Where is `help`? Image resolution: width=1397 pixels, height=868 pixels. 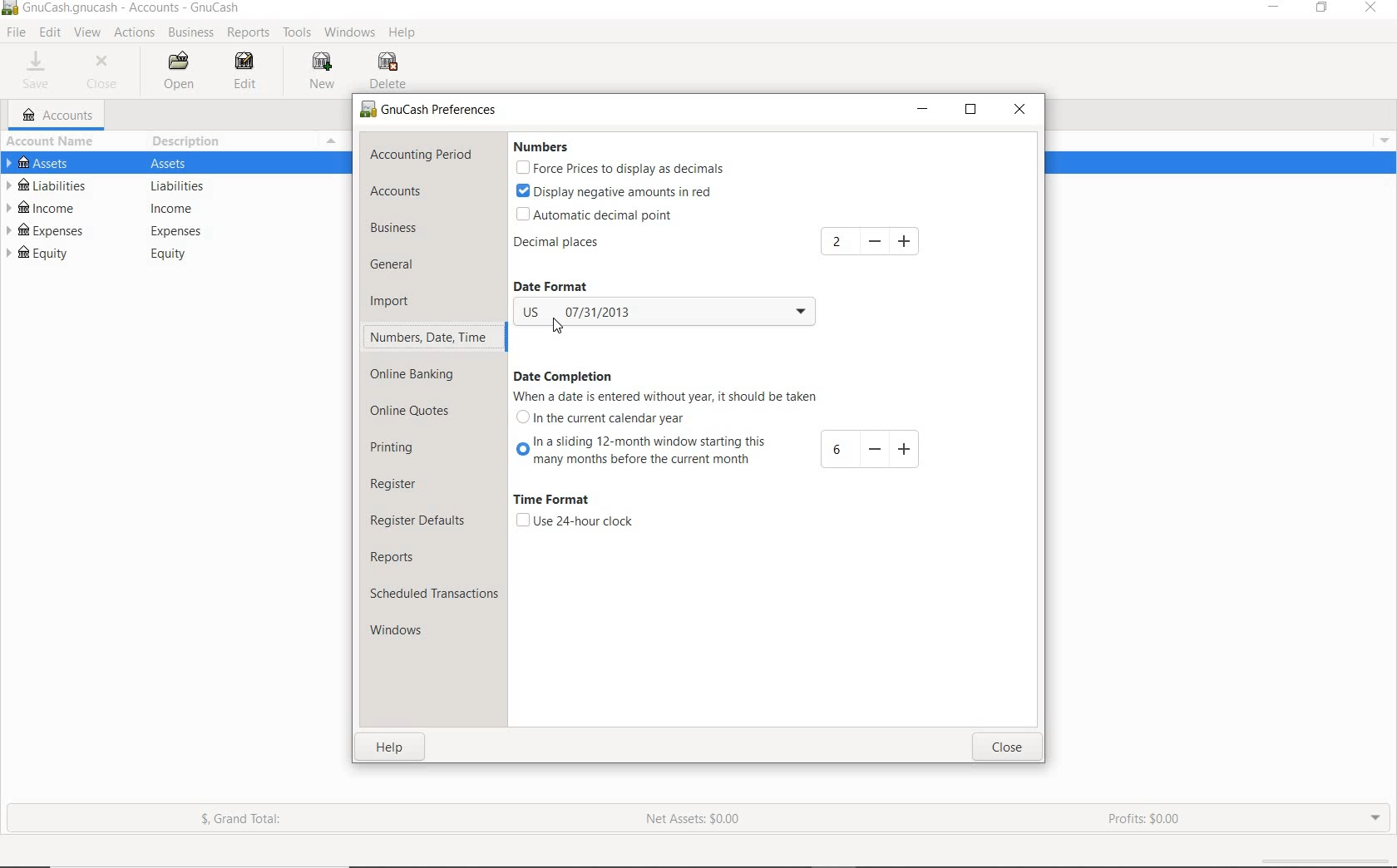
help is located at coordinates (392, 750).